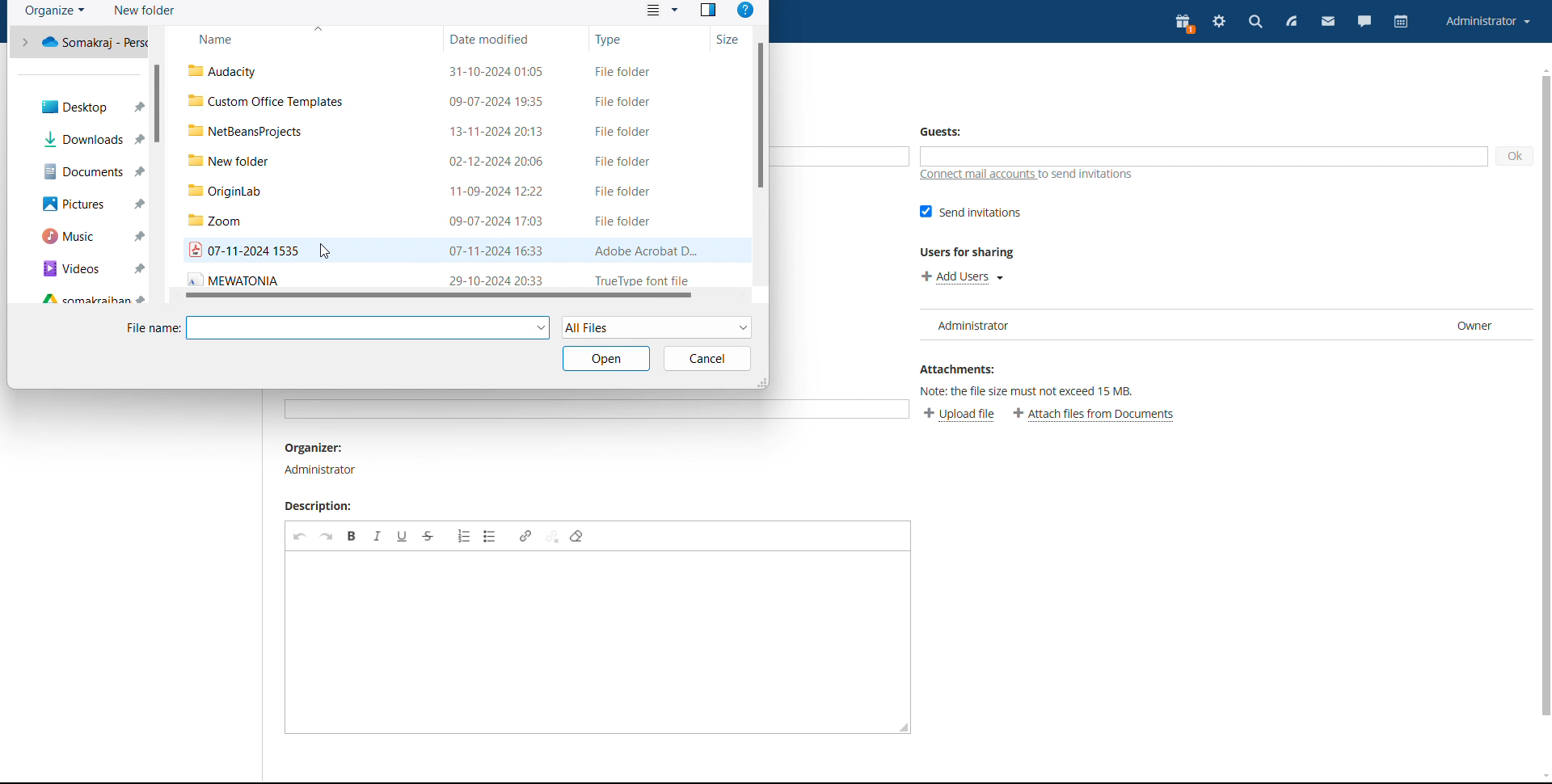  What do you see at coordinates (428, 537) in the screenshot?
I see `strikethrough` at bounding box center [428, 537].